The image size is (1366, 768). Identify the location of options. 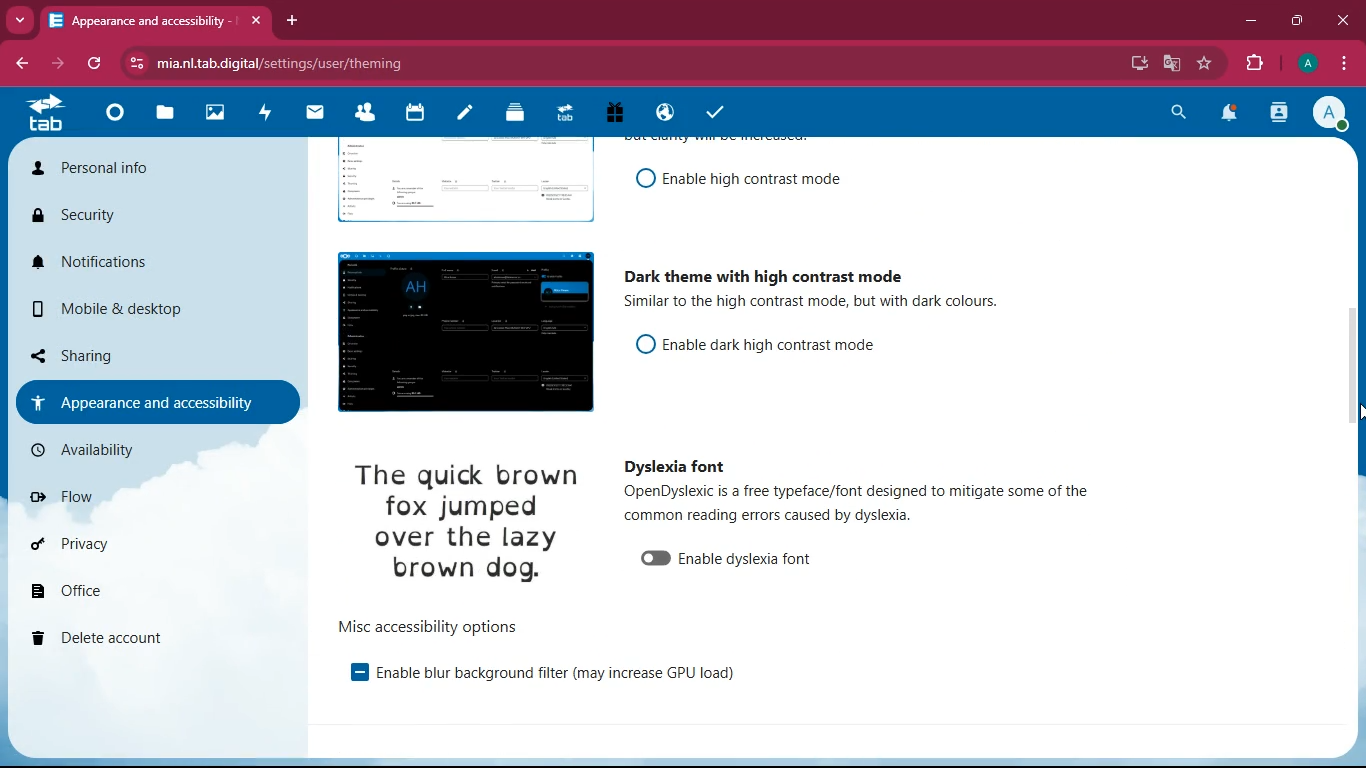
(429, 625).